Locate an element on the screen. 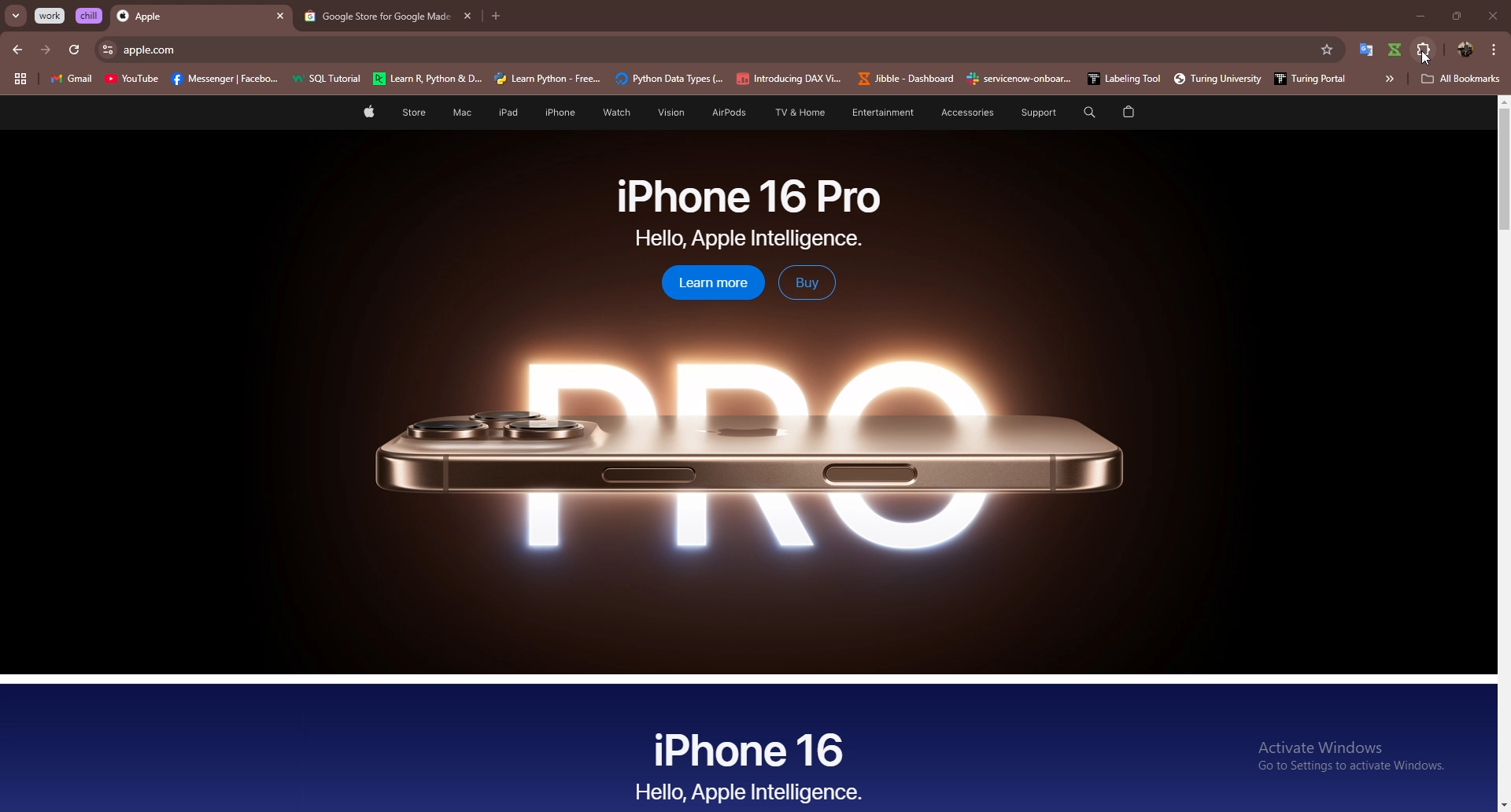 The image size is (1511, 812). Introducing DAX Vi.. is located at coordinates (789, 79).